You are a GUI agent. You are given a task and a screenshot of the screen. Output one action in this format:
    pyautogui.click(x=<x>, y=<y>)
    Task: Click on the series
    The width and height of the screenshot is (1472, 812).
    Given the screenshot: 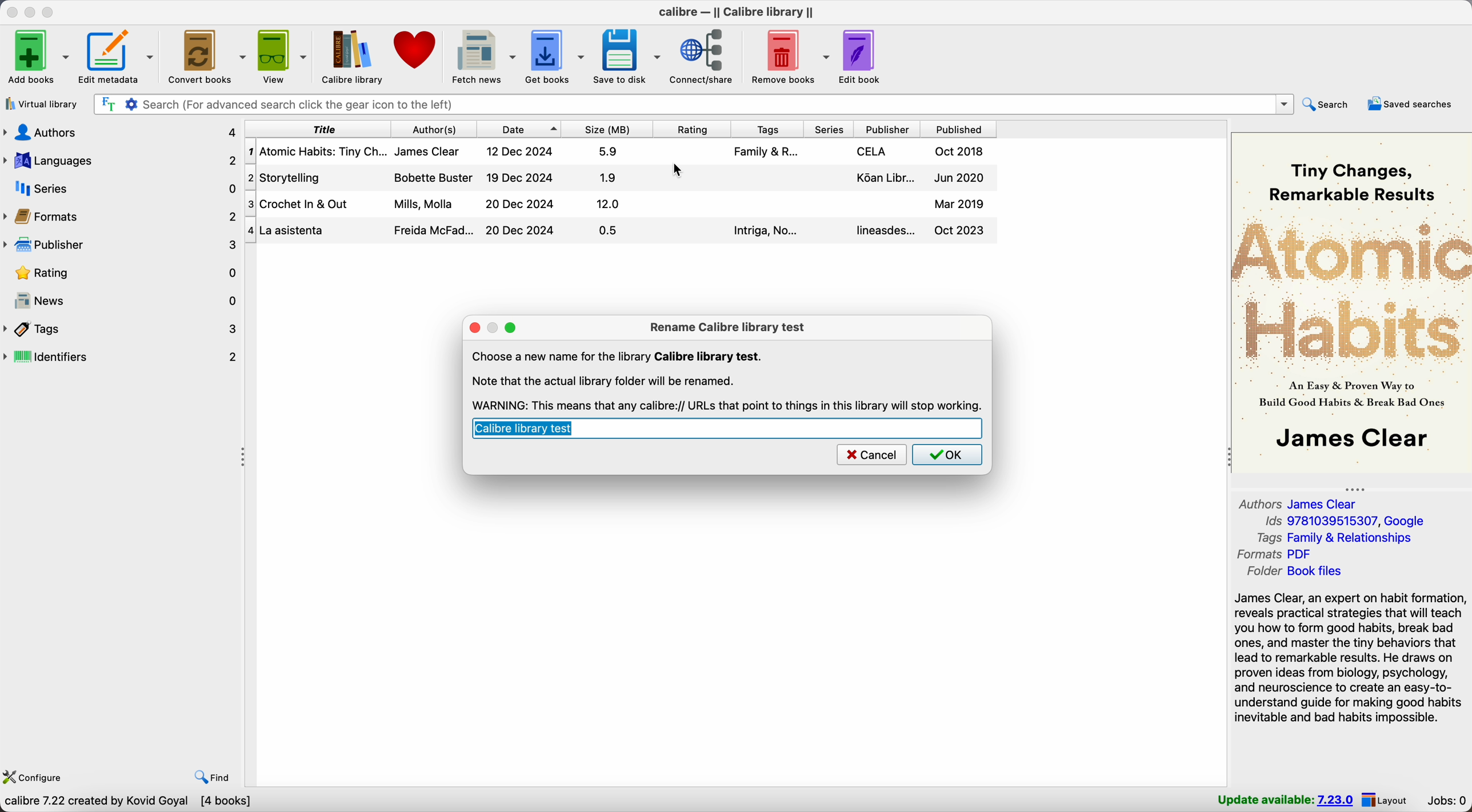 What is the action you would take?
    pyautogui.click(x=122, y=188)
    